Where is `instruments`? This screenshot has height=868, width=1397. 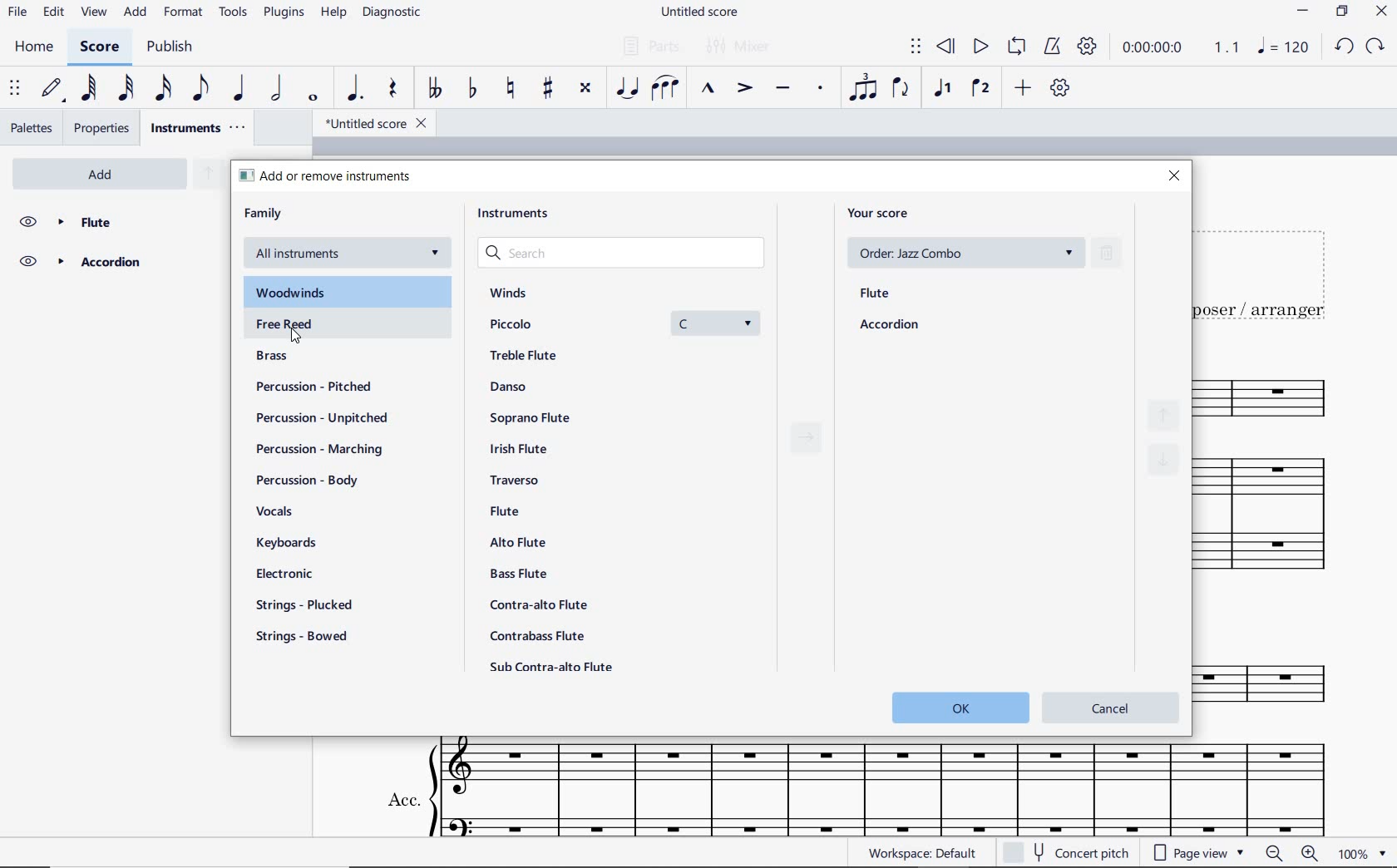
instruments is located at coordinates (518, 214).